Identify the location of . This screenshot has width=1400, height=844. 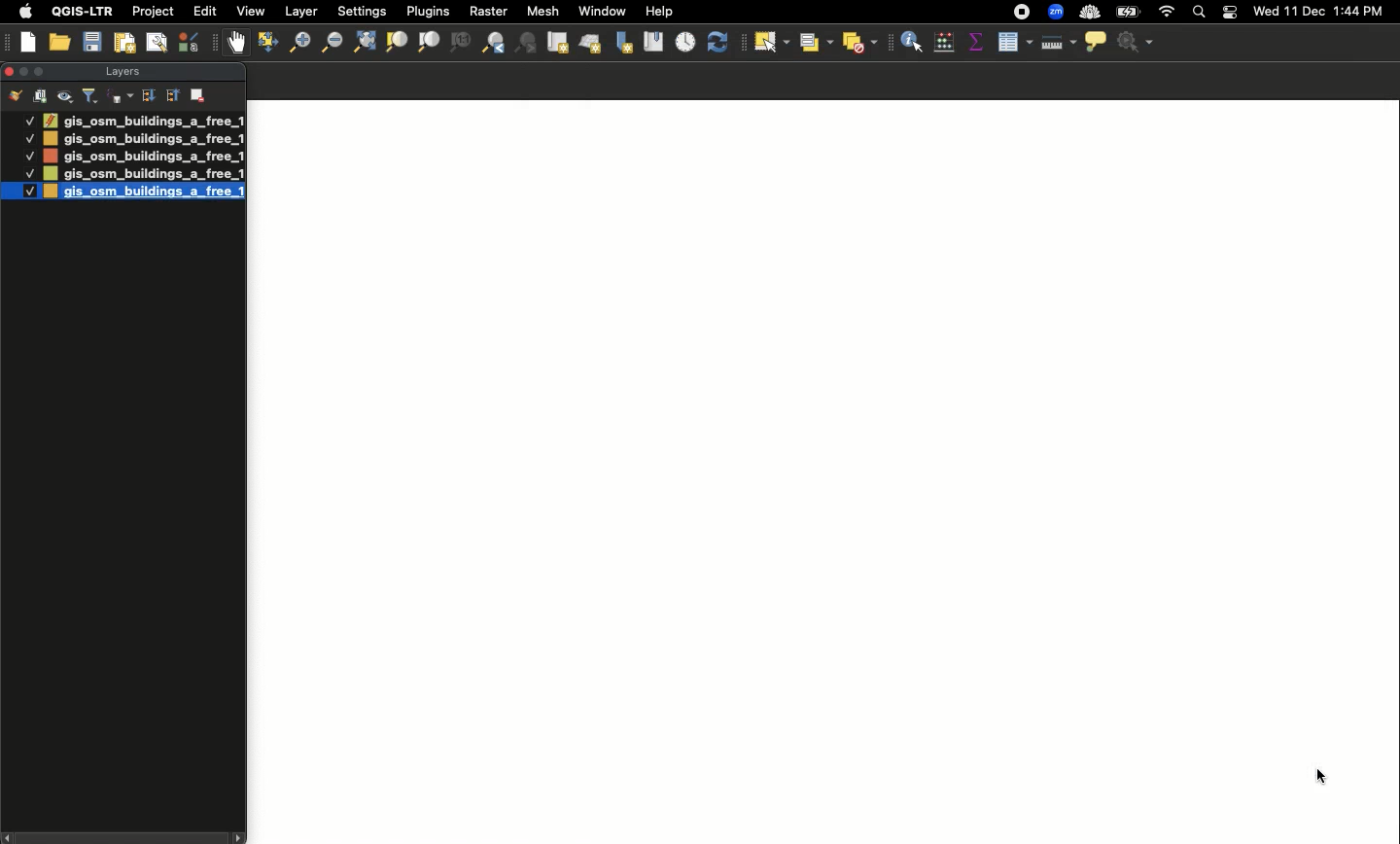
(9, 43).